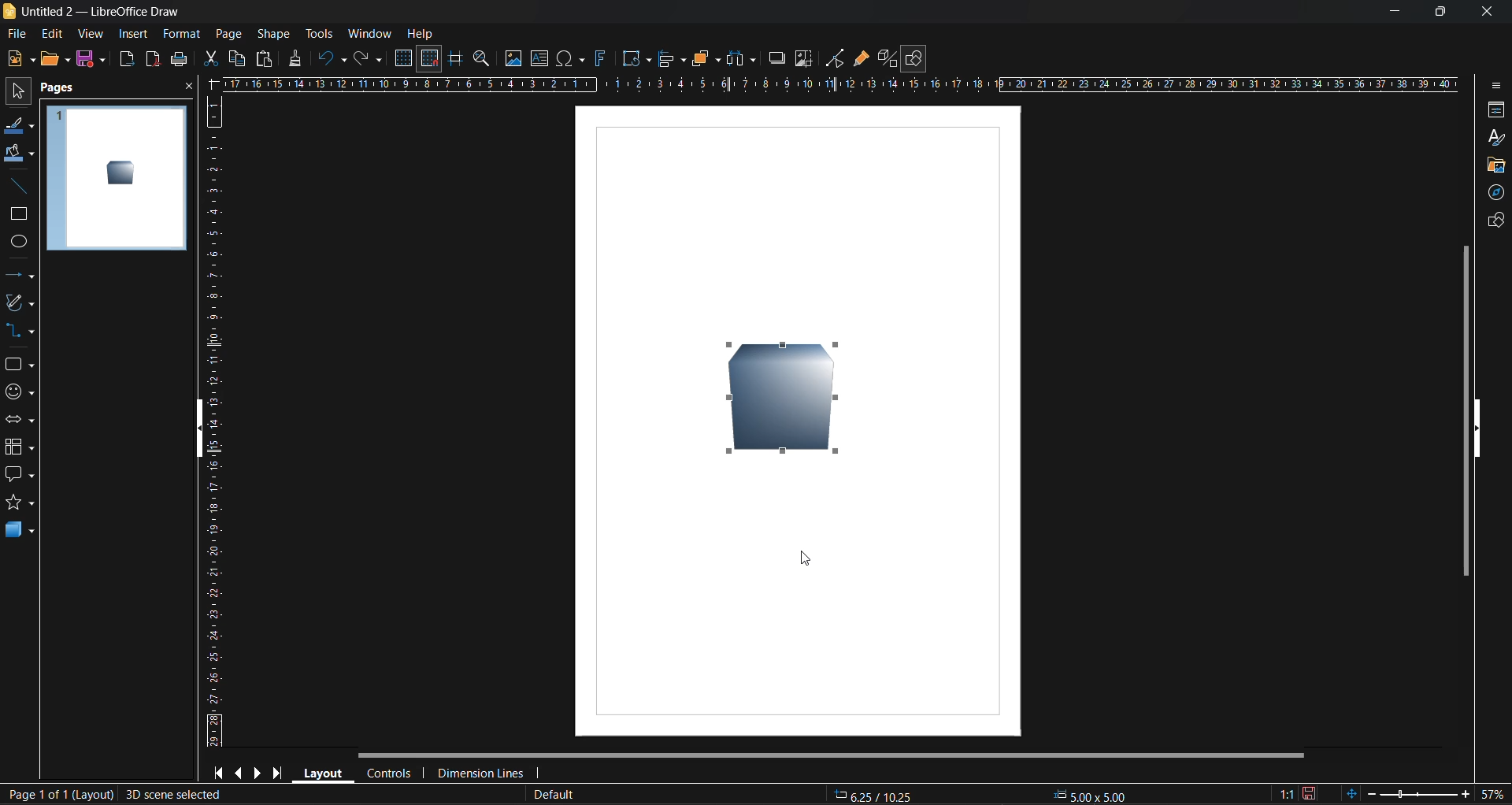 This screenshot has width=1512, height=805. I want to click on edit, so click(51, 32).